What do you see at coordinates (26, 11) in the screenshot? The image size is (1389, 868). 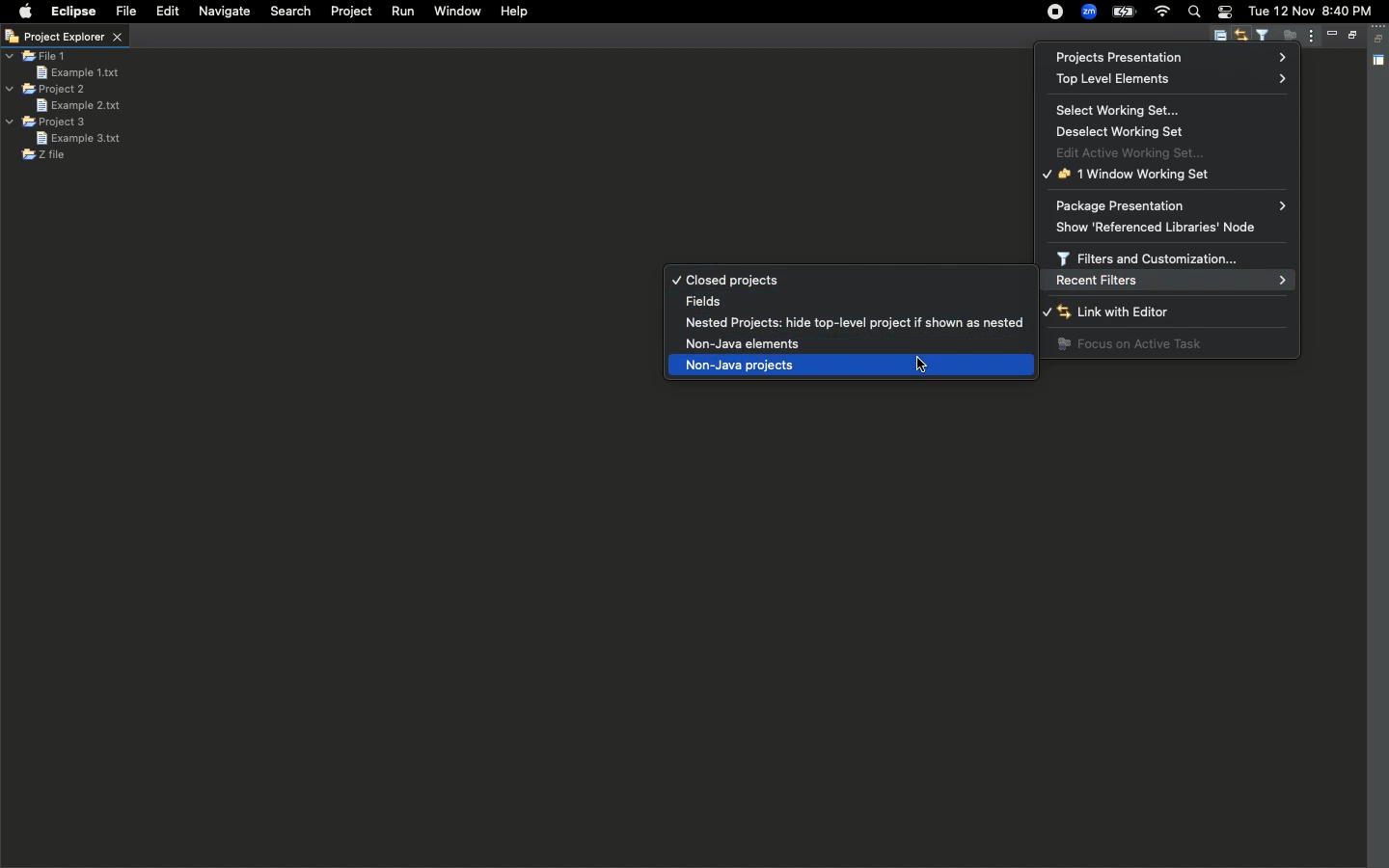 I see `Apple logo` at bounding box center [26, 11].